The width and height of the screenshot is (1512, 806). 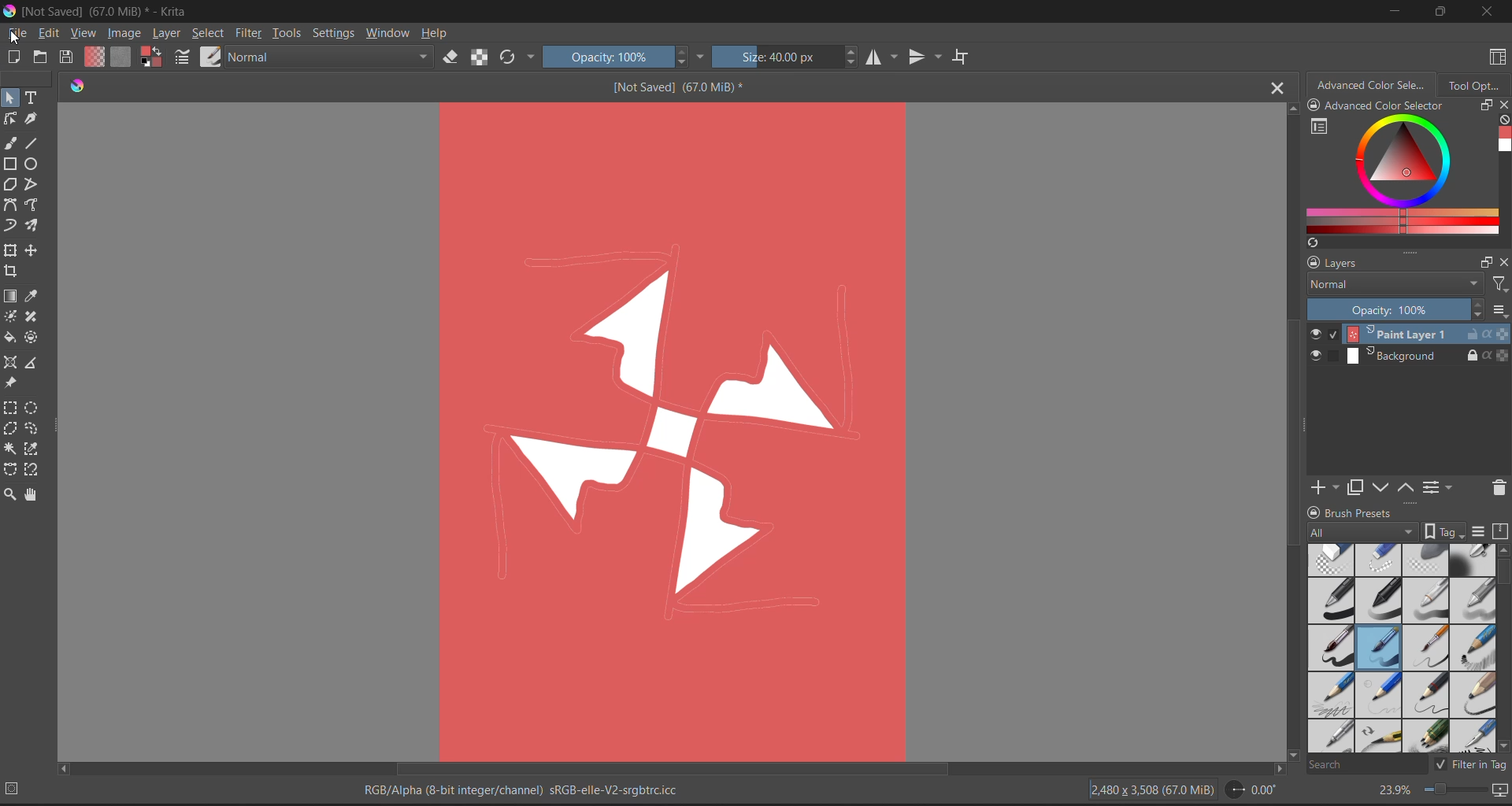 What do you see at coordinates (33, 429) in the screenshot?
I see `tools` at bounding box center [33, 429].